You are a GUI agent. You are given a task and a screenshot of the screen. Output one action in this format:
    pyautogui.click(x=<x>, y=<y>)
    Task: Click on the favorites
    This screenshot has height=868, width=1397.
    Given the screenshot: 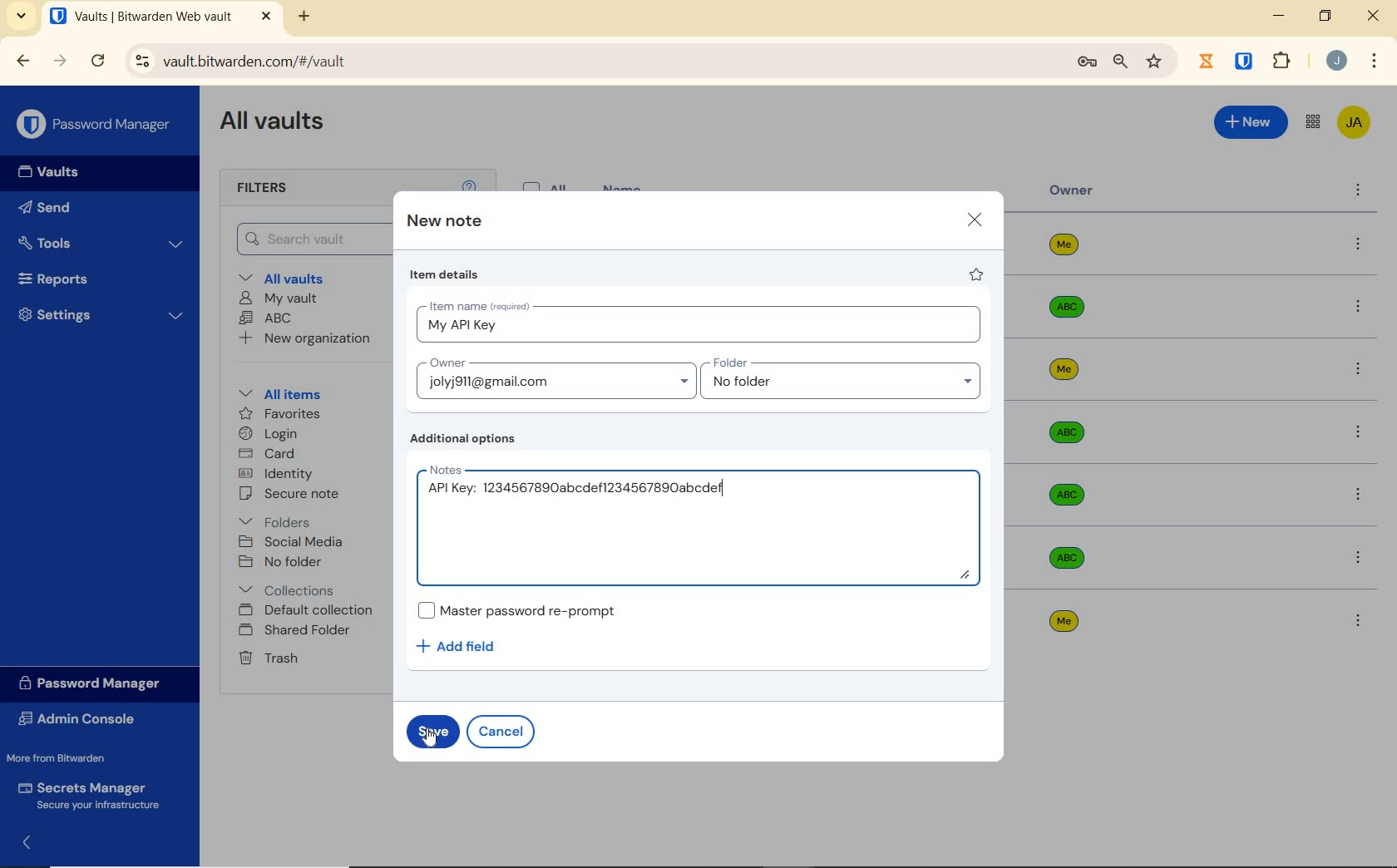 What is the action you would take?
    pyautogui.click(x=277, y=413)
    